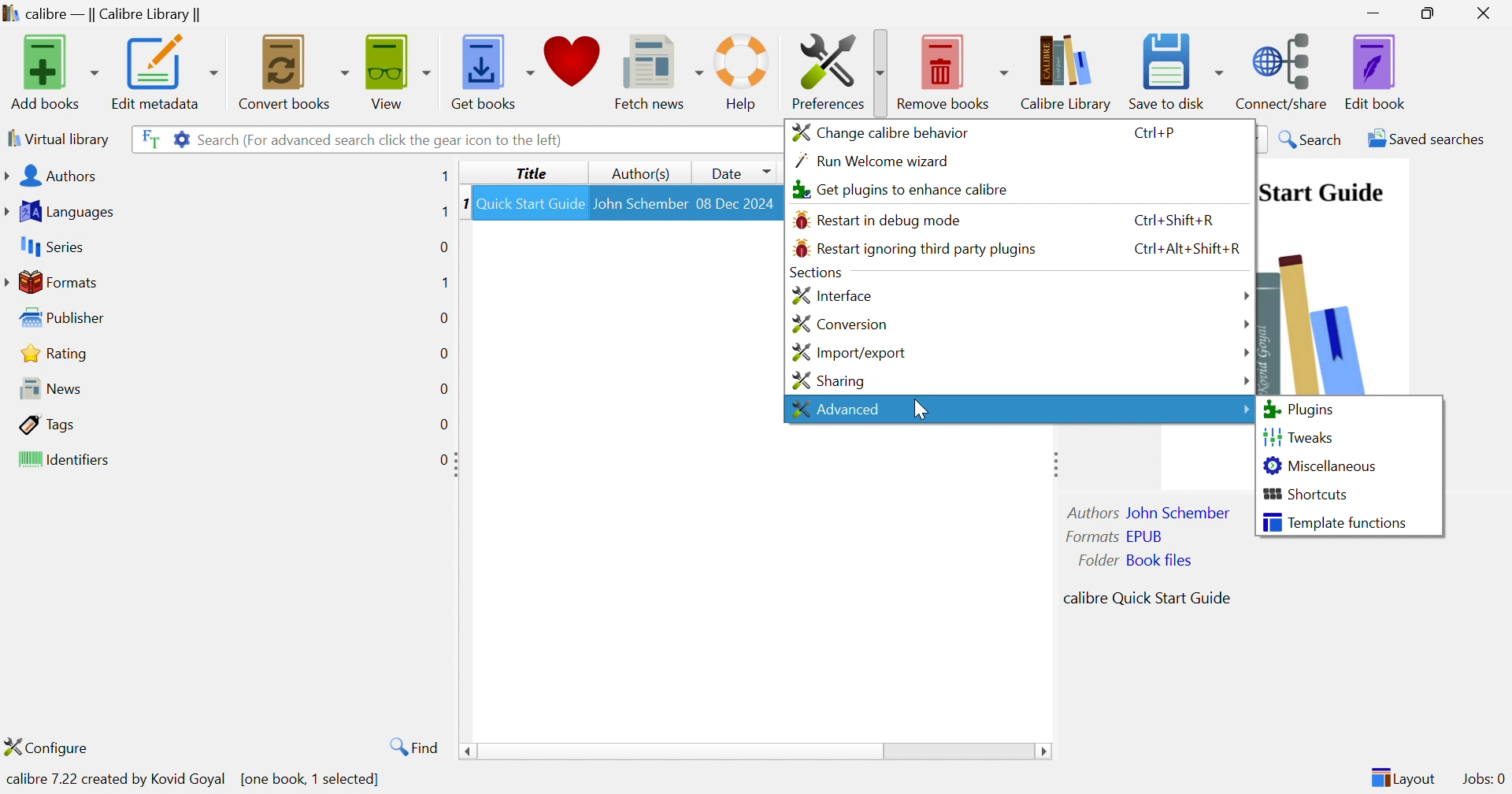  I want to click on Authors John Schember, so click(1151, 512).